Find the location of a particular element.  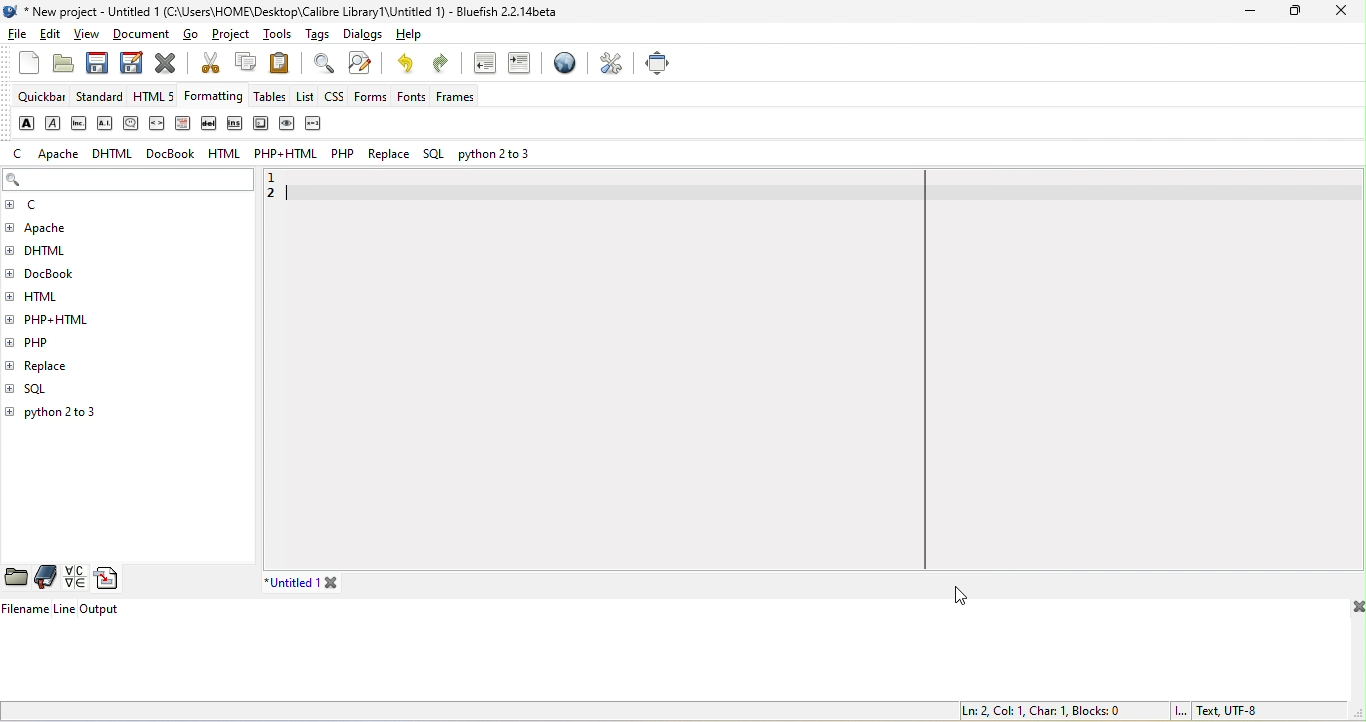

sql is located at coordinates (431, 156).